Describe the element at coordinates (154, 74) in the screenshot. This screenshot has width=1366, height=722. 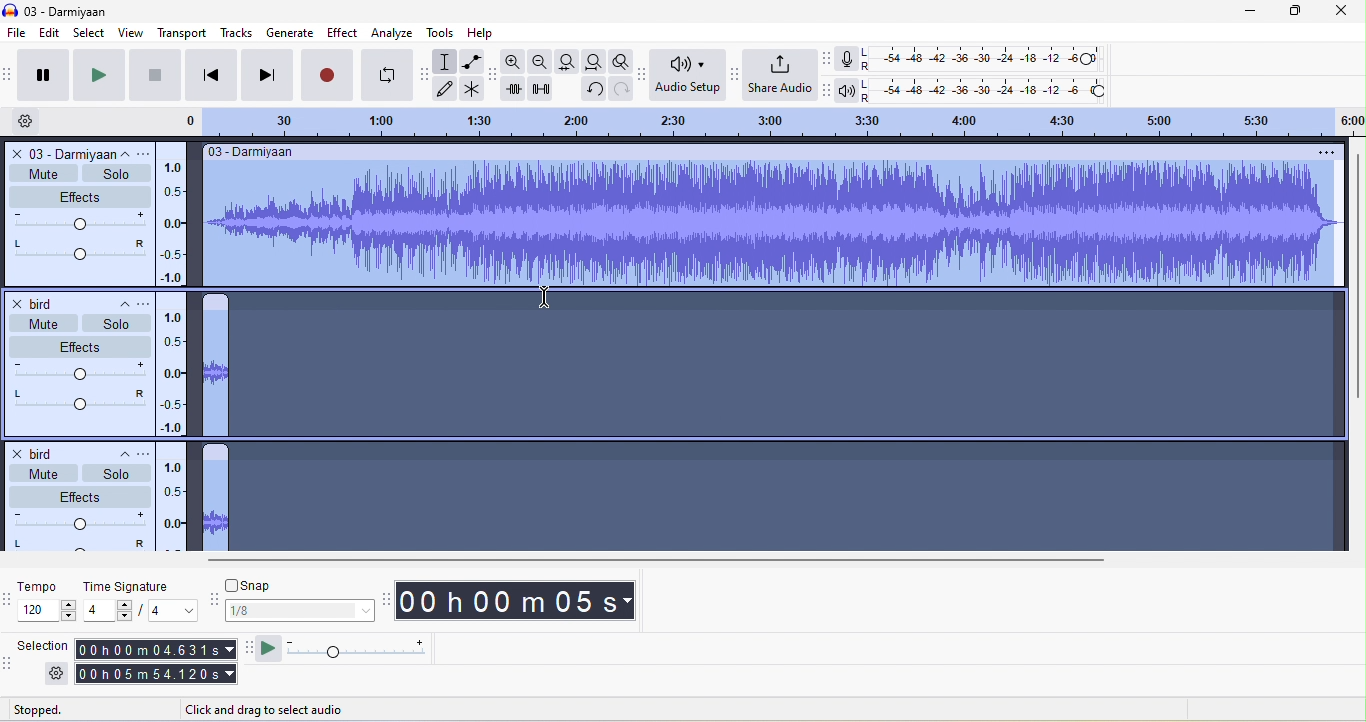
I see `stop` at that location.